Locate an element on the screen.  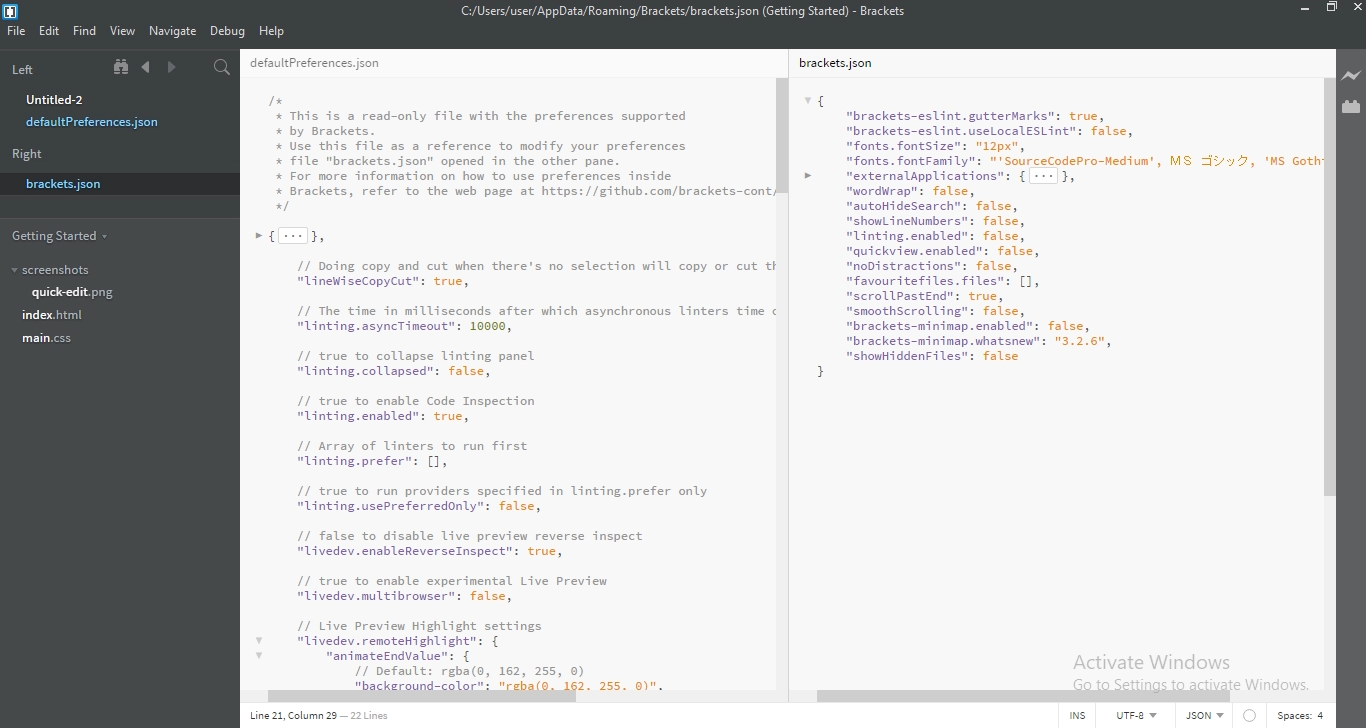
scroll bar is located at coordinates (1326, 294).